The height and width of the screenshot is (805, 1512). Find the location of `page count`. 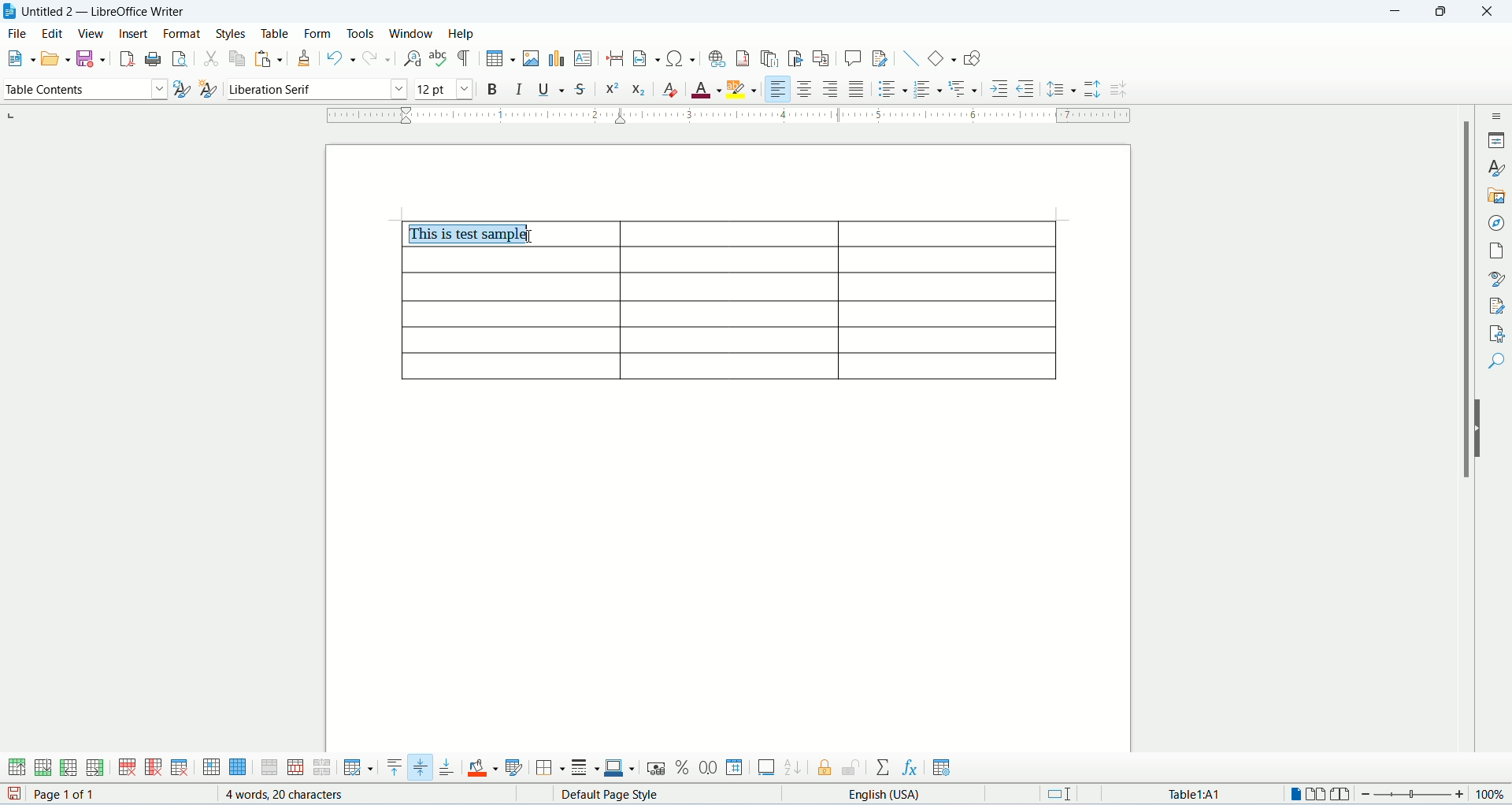

page count is located at coordinates (93, 795).